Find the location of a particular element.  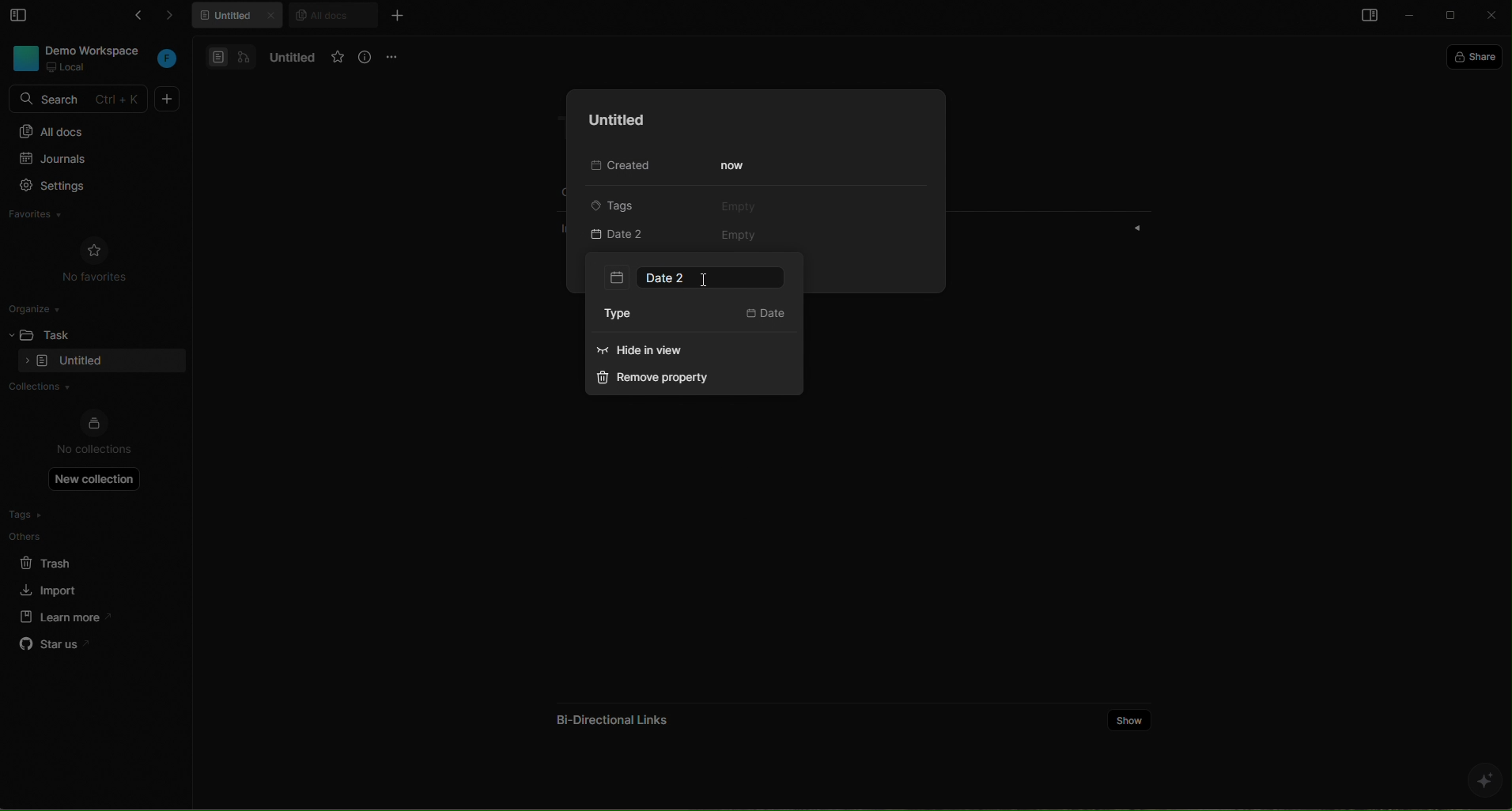

workspace initial is located at coordinates (168, 60).